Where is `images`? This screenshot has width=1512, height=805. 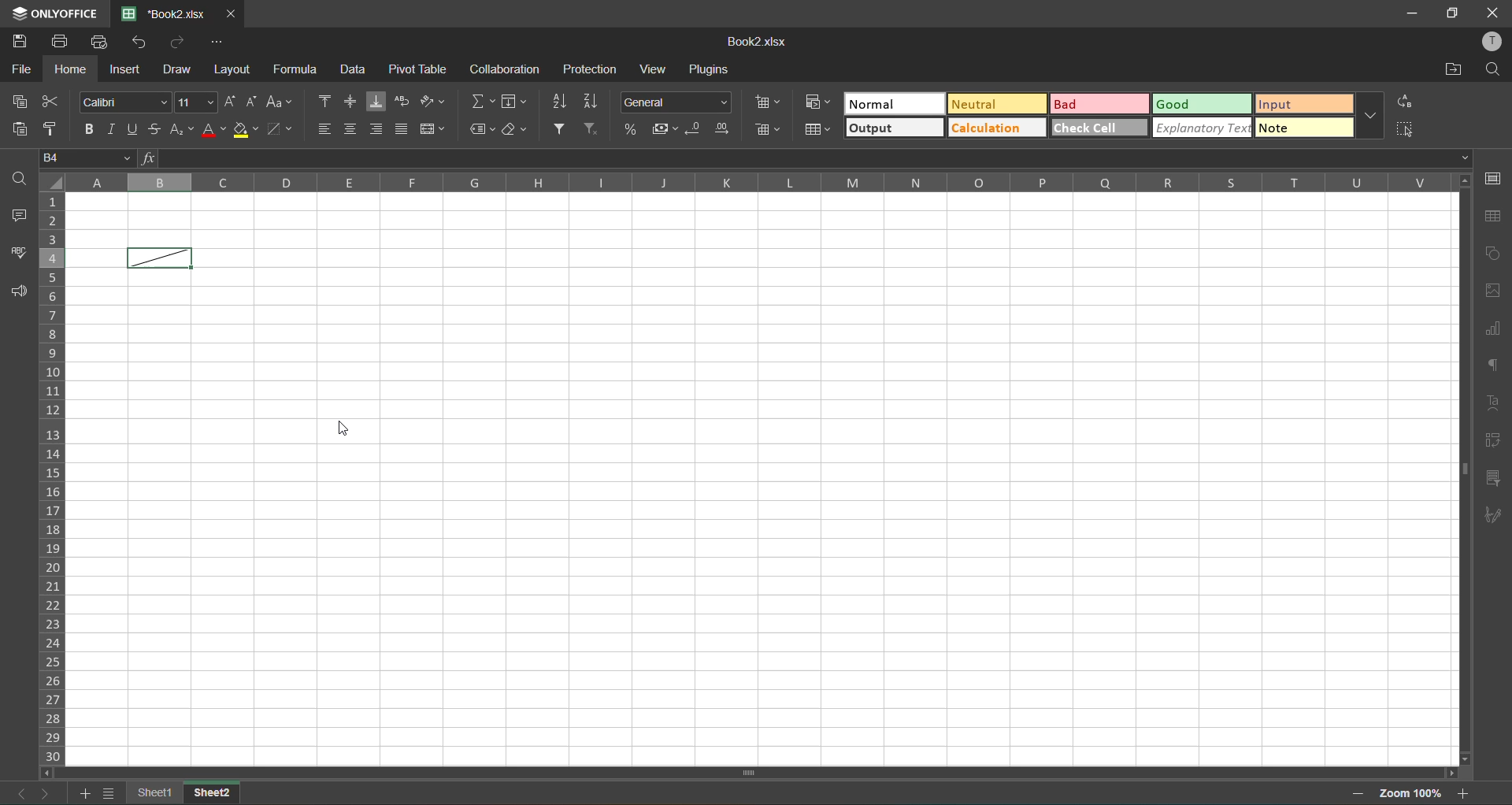 images is located at coordinates (1495, 287).